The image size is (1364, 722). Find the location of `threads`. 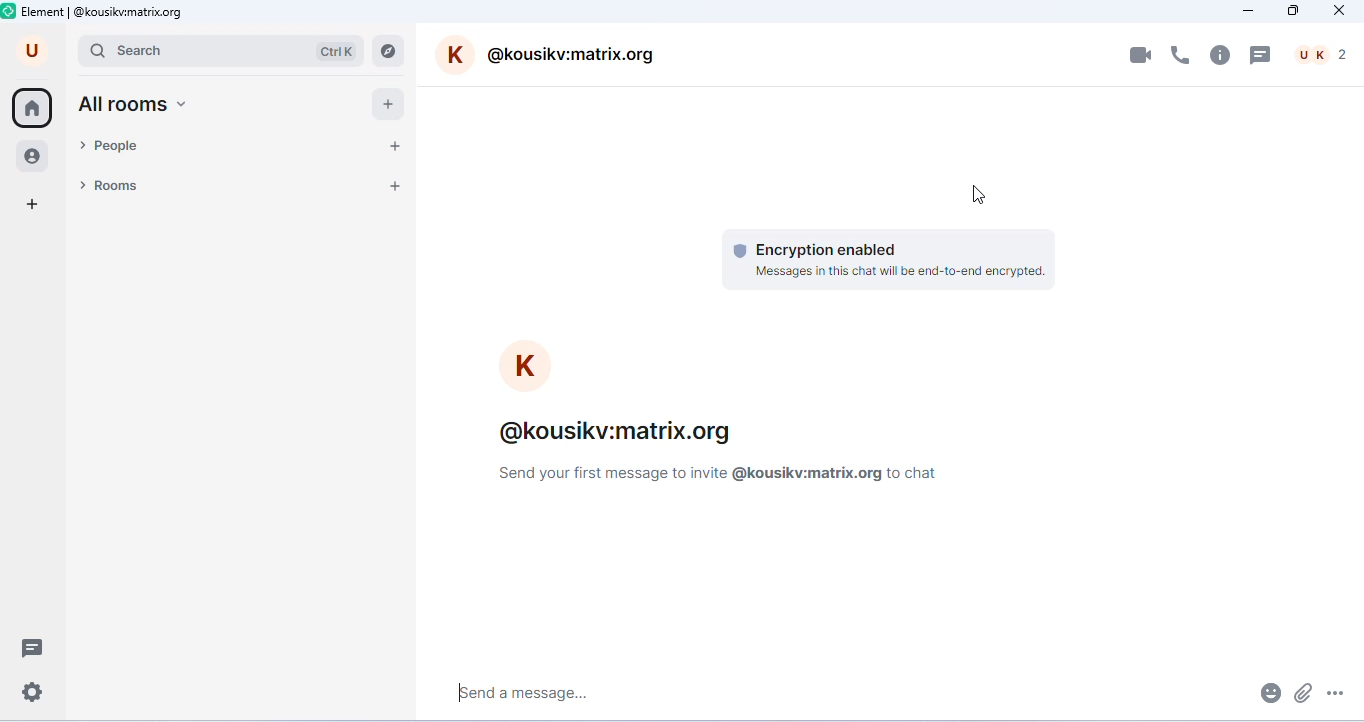

threads is located at coordinates (34, 646).